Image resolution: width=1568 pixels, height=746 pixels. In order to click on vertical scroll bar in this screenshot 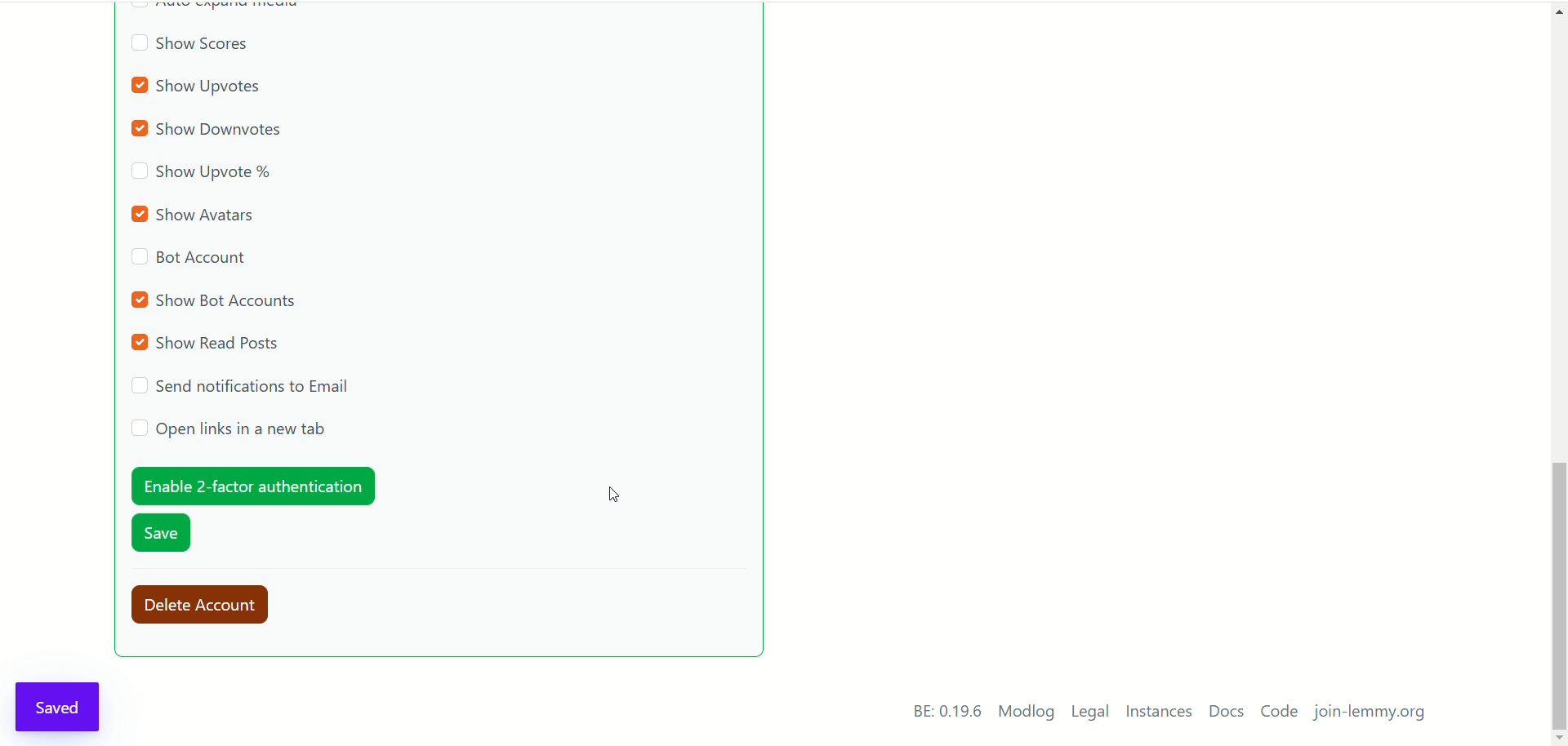, I will do `click(1558, 367)`.